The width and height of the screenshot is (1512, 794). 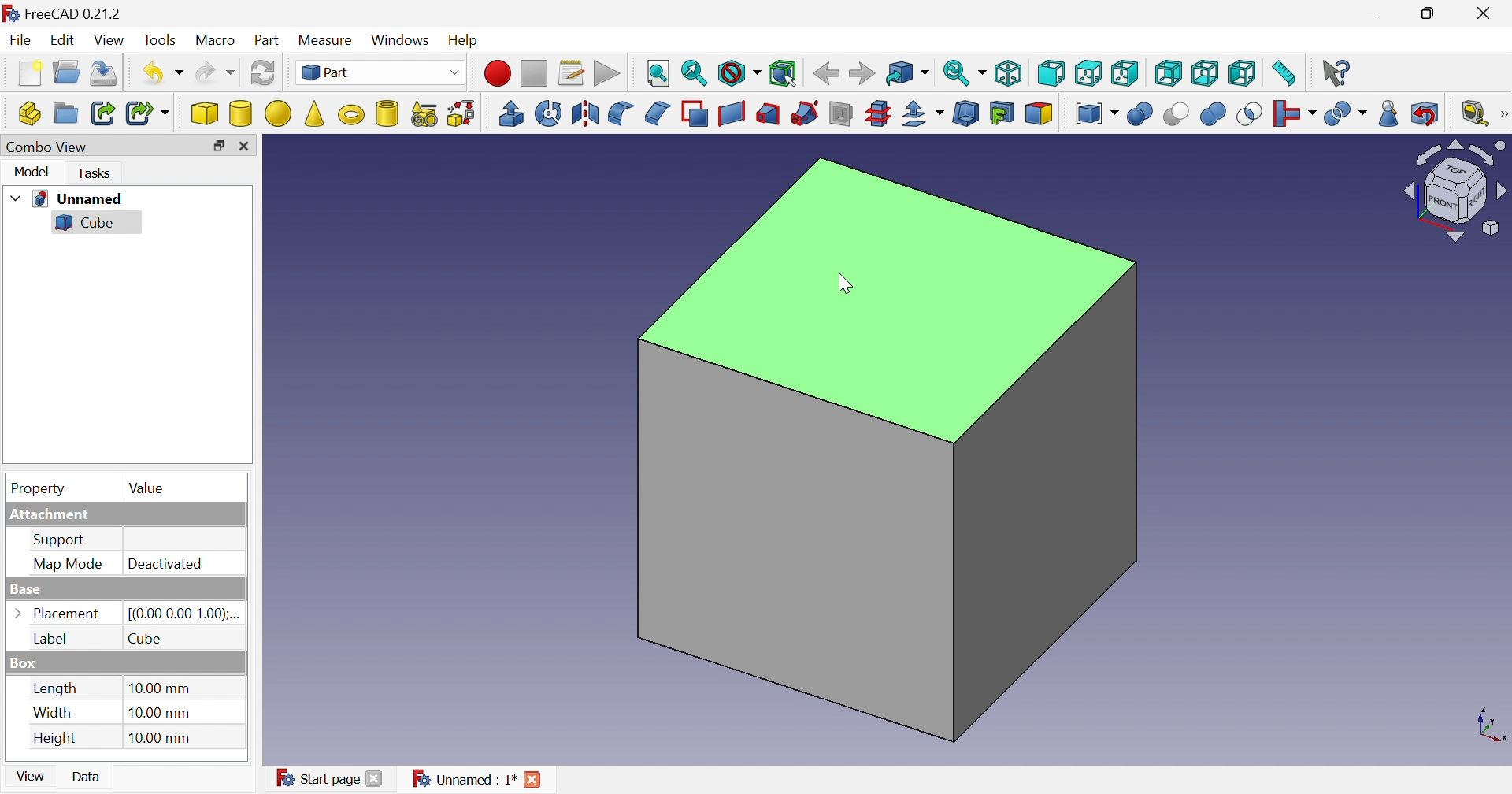 What do you see at coordinates (165, 562) in the screenshot?
I see `Deactivated` at bounding box center [165, 562].